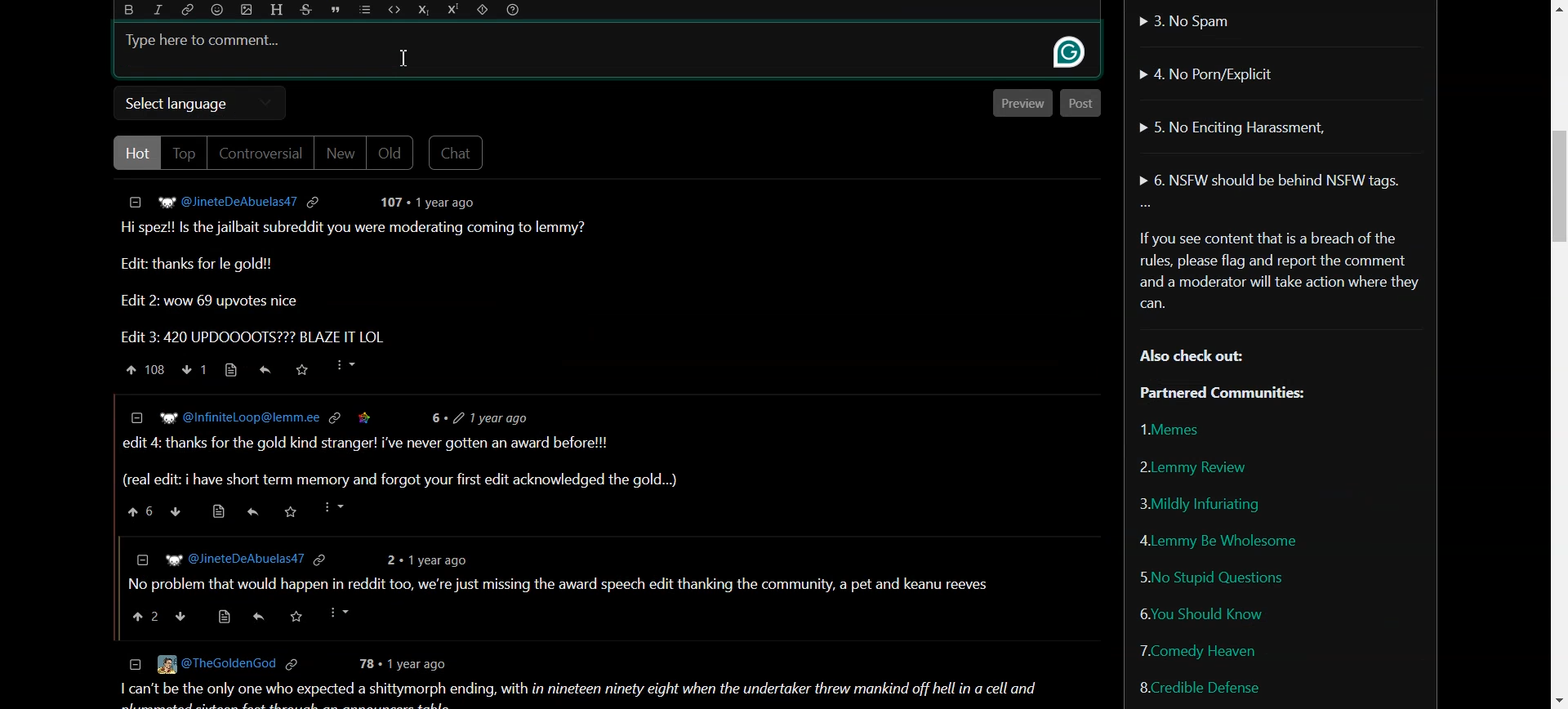  What do you see at coordinates (1084, 104) in the screenshot?
I see `Post` at bounding box center [1084, 104].